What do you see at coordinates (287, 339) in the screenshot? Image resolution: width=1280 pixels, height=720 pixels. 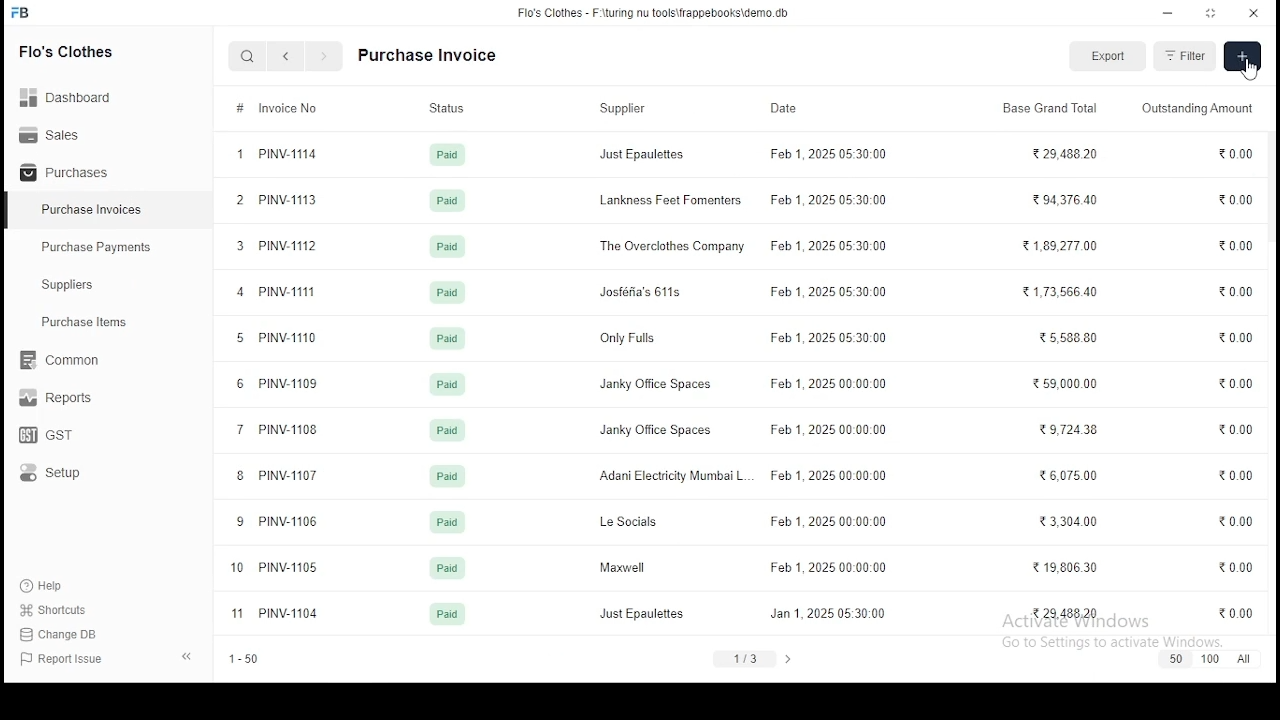 I see `PINV-1110` at bounding box center [287, 339].